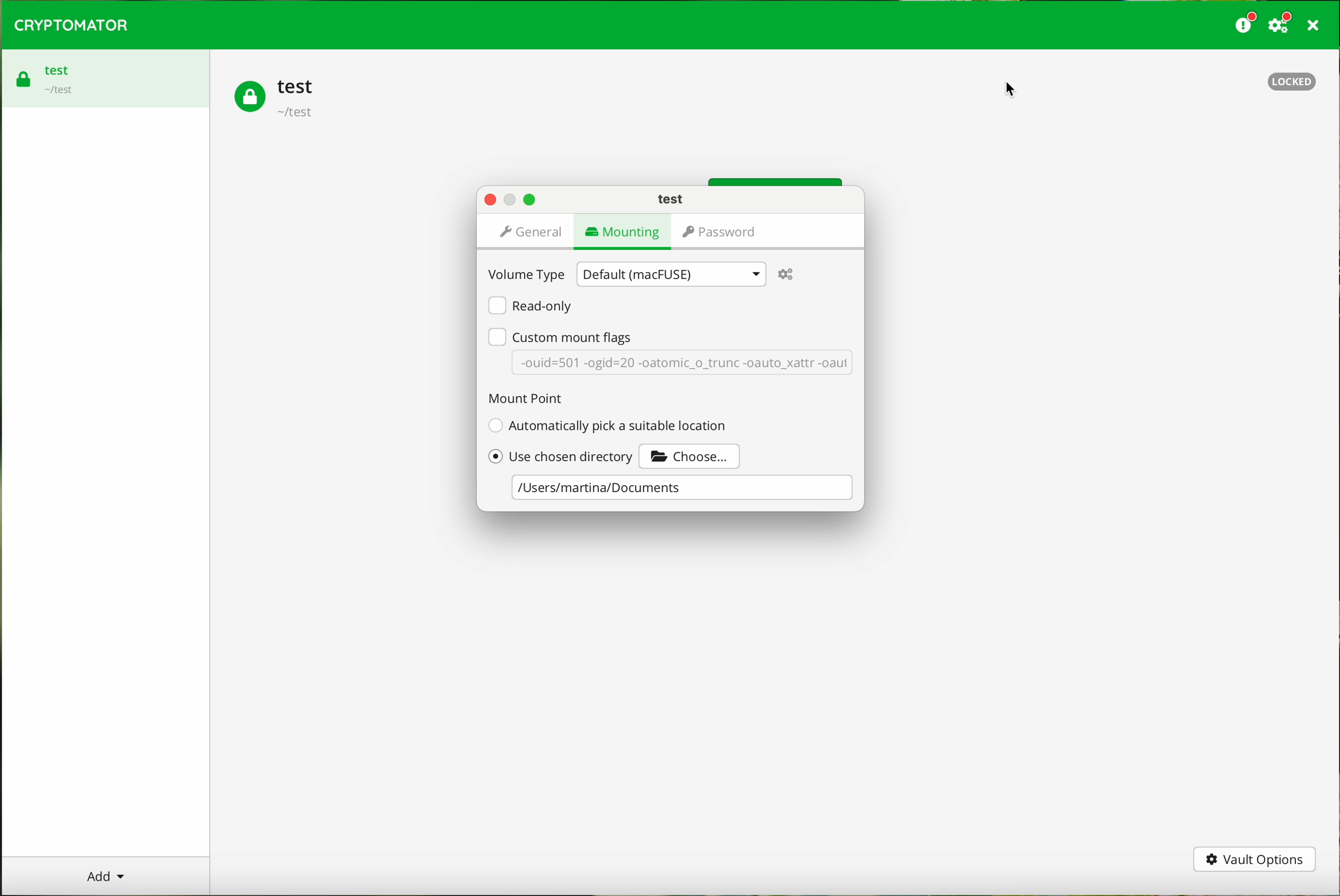 Image resolution: width=1340 pixels, height=896 pixels. What do you see at coordinates (716, 232) in the screenshot?
I see `password` at bounding box center [716, 232].